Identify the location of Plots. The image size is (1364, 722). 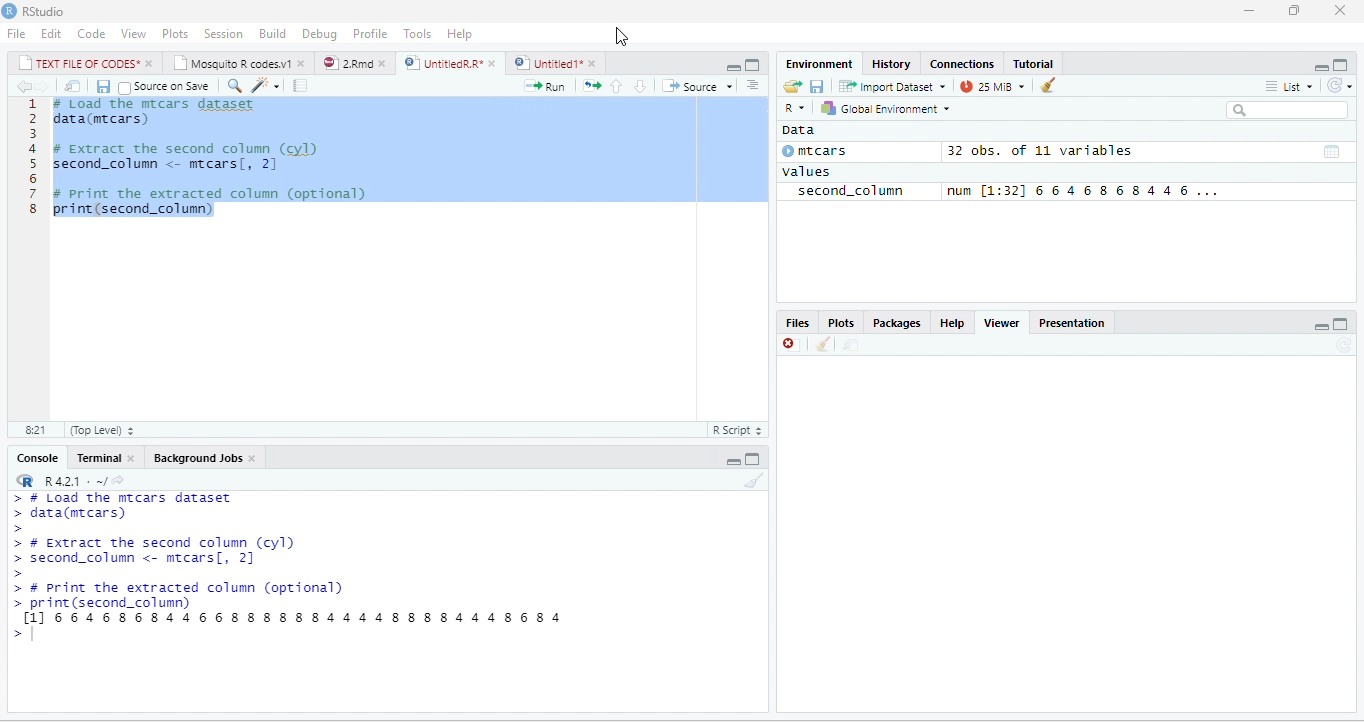
(845, 323).